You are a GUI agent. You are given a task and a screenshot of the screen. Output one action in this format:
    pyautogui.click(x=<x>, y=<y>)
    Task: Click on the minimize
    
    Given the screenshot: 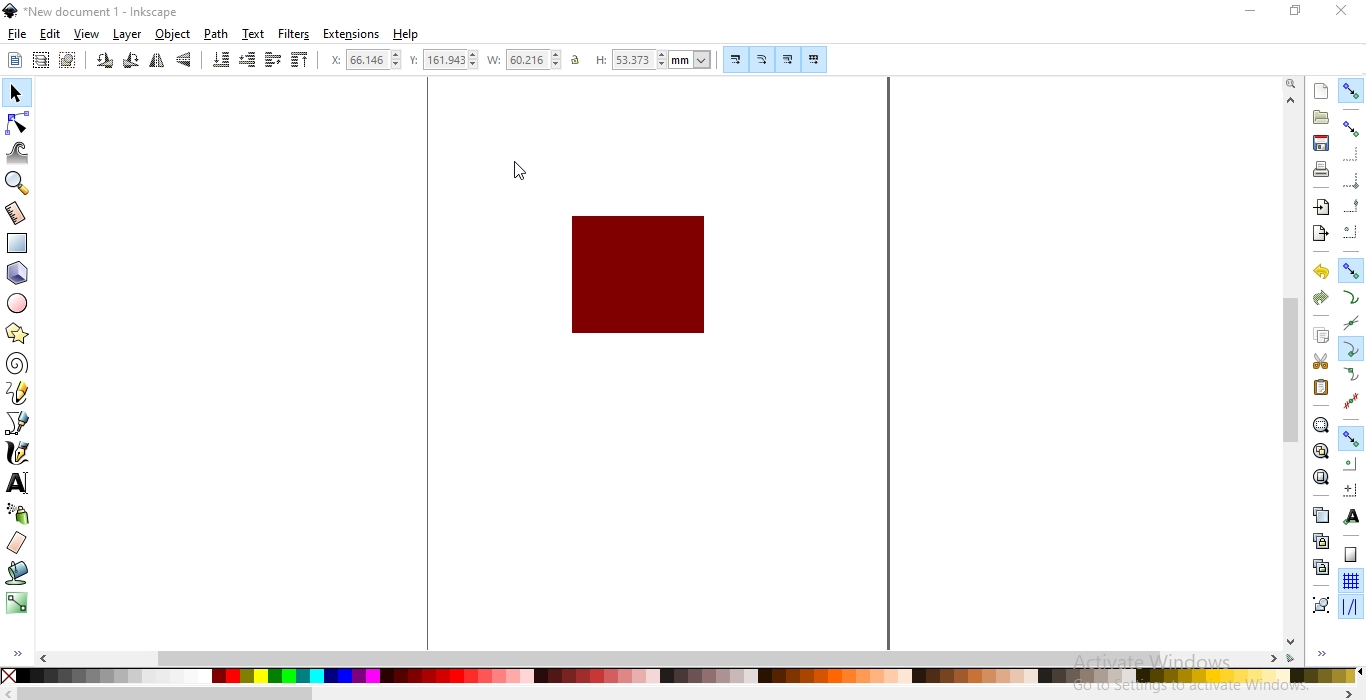 What is the action you would take?
    pyautogui.click(x=1252, y=12)
    